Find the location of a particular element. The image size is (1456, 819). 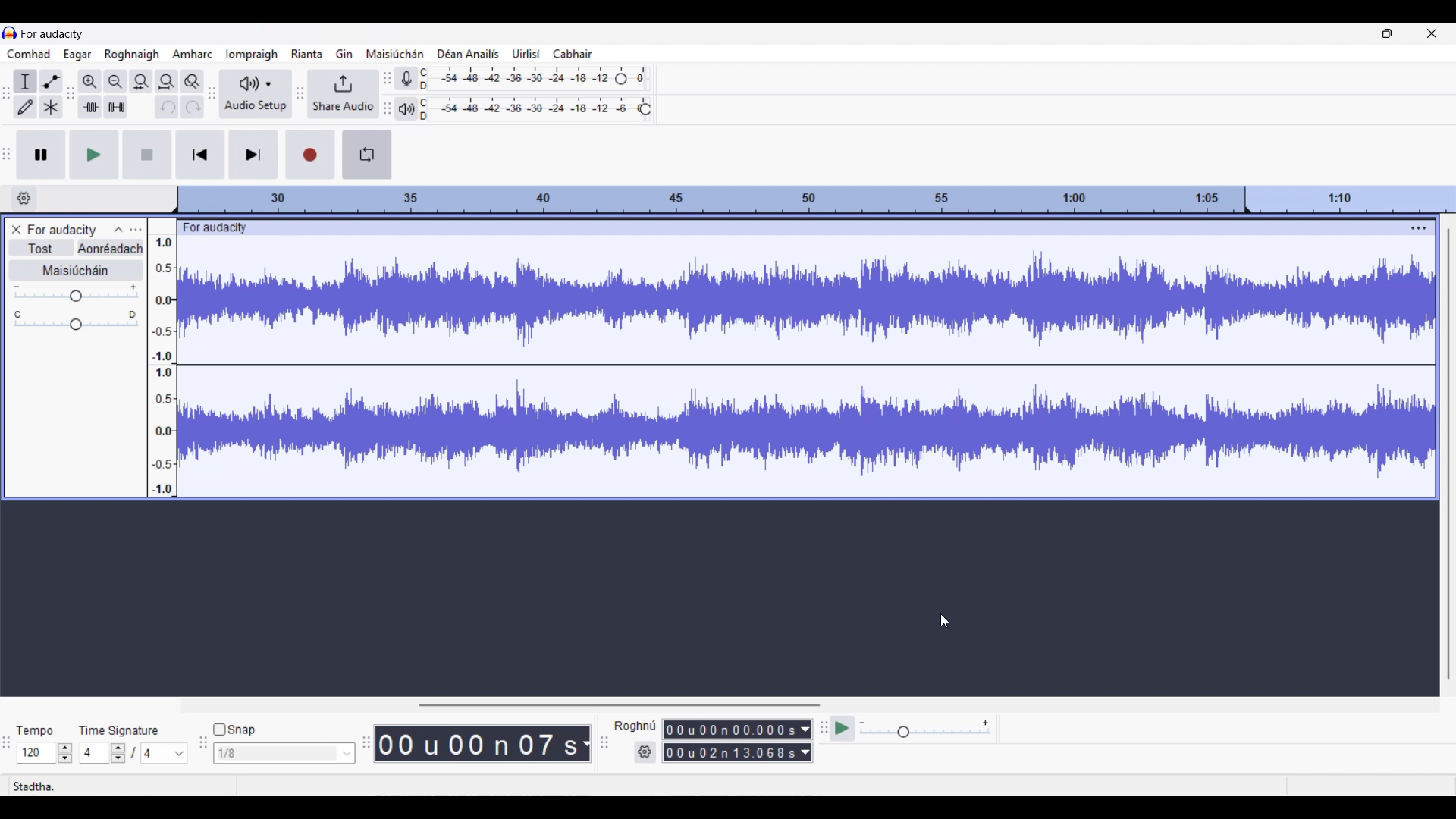

Undo is located at coordinates (165, 106).